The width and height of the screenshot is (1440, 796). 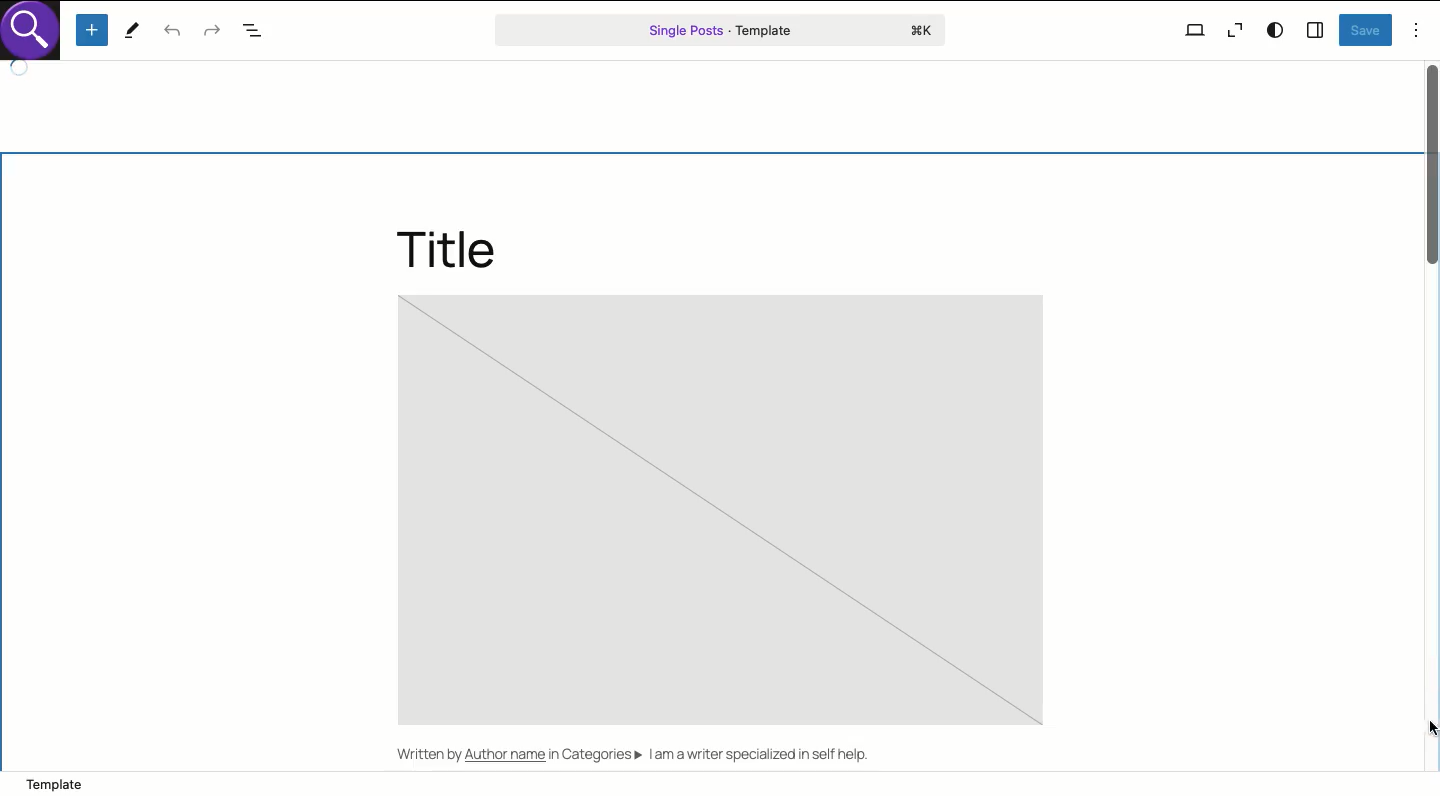 I want to click on Image, so click(x=722, y=511).